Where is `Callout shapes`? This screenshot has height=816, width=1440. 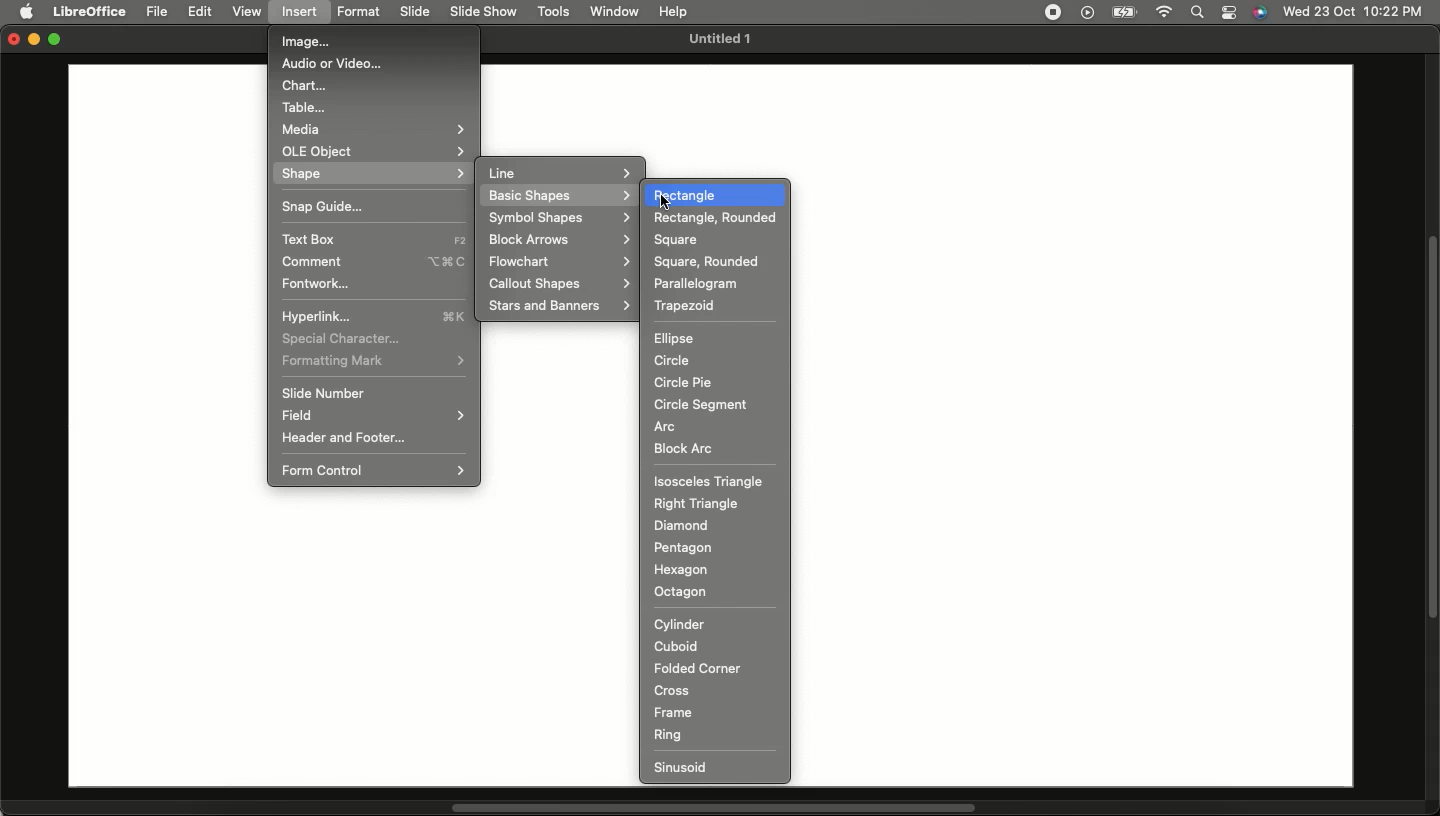 Callout shapes is located at coordinates (557, 284).